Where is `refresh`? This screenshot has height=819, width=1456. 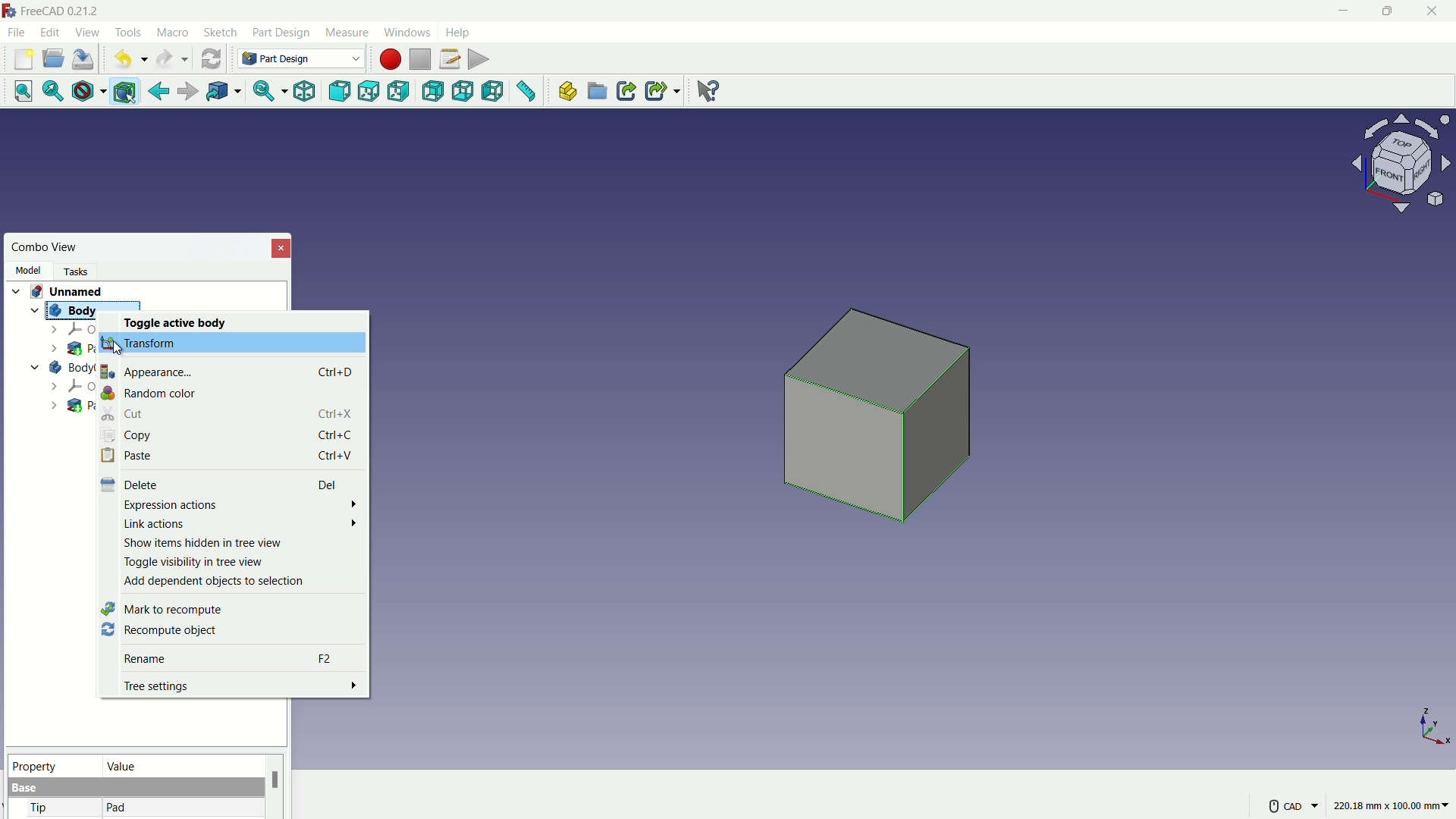
refresh is located at coordinates (211, 58).